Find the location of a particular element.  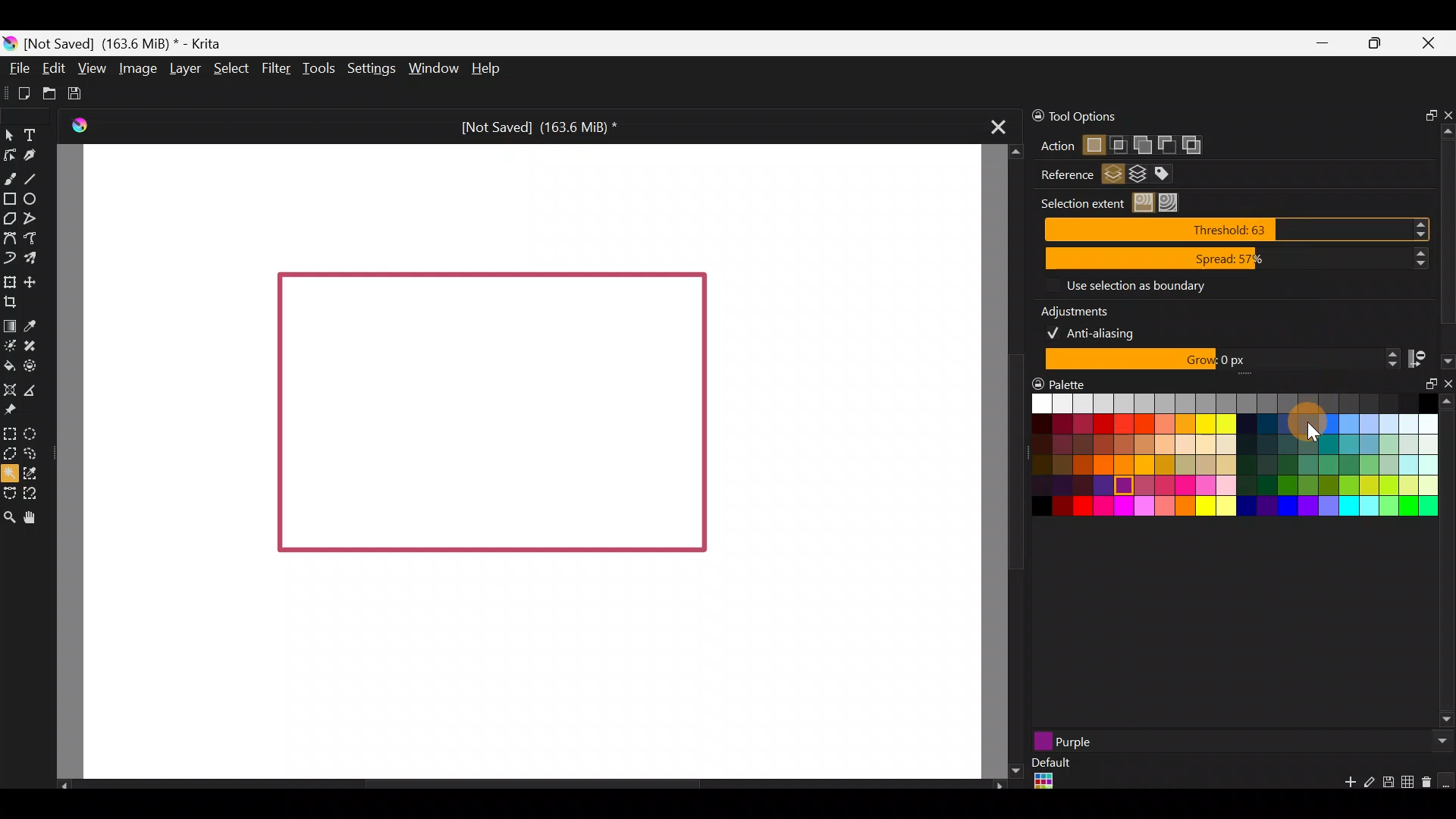

Remove swatch/group is located at coordinates (1429, 787).